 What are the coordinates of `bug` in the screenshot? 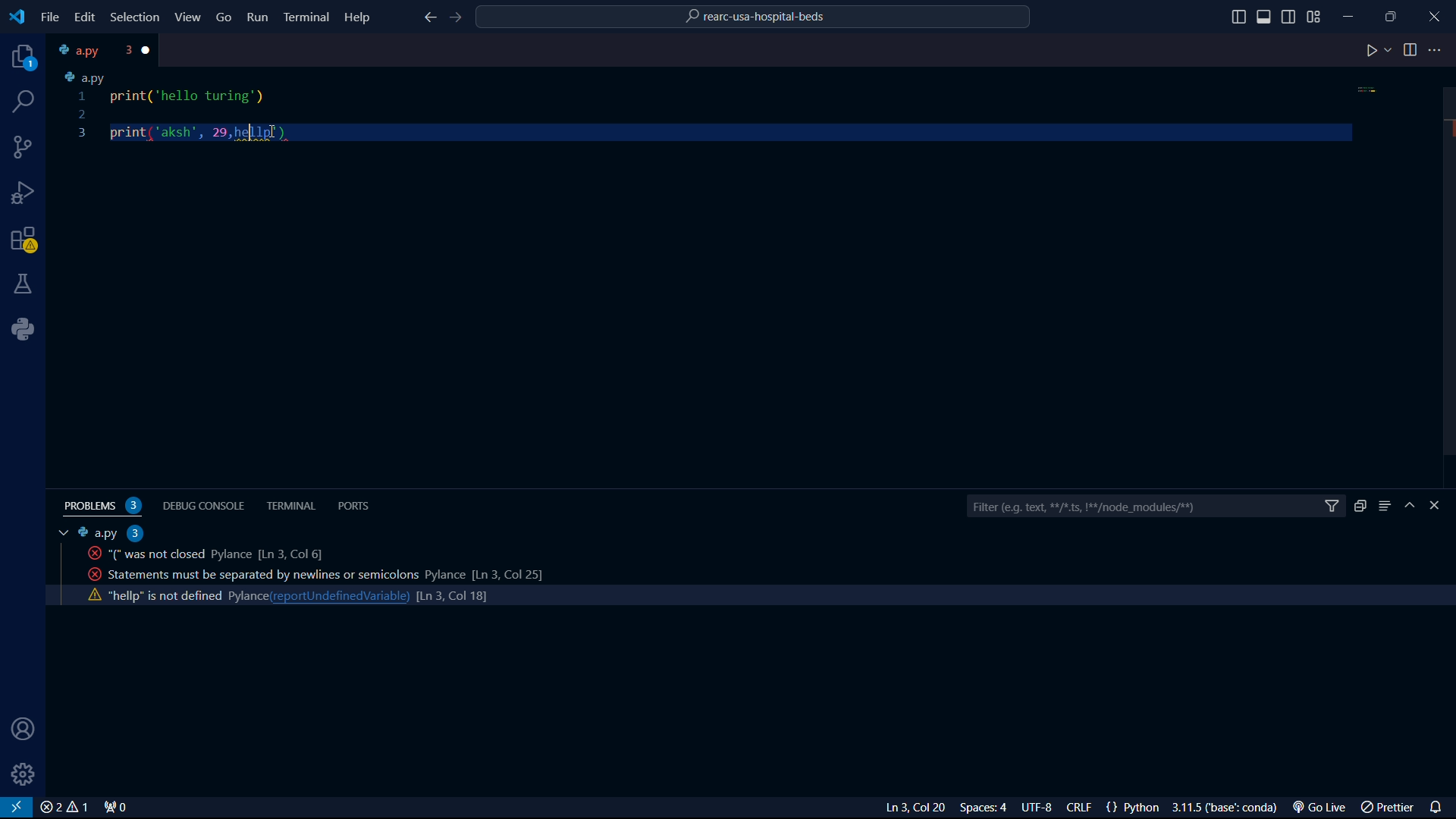 It's located at (27, 190).